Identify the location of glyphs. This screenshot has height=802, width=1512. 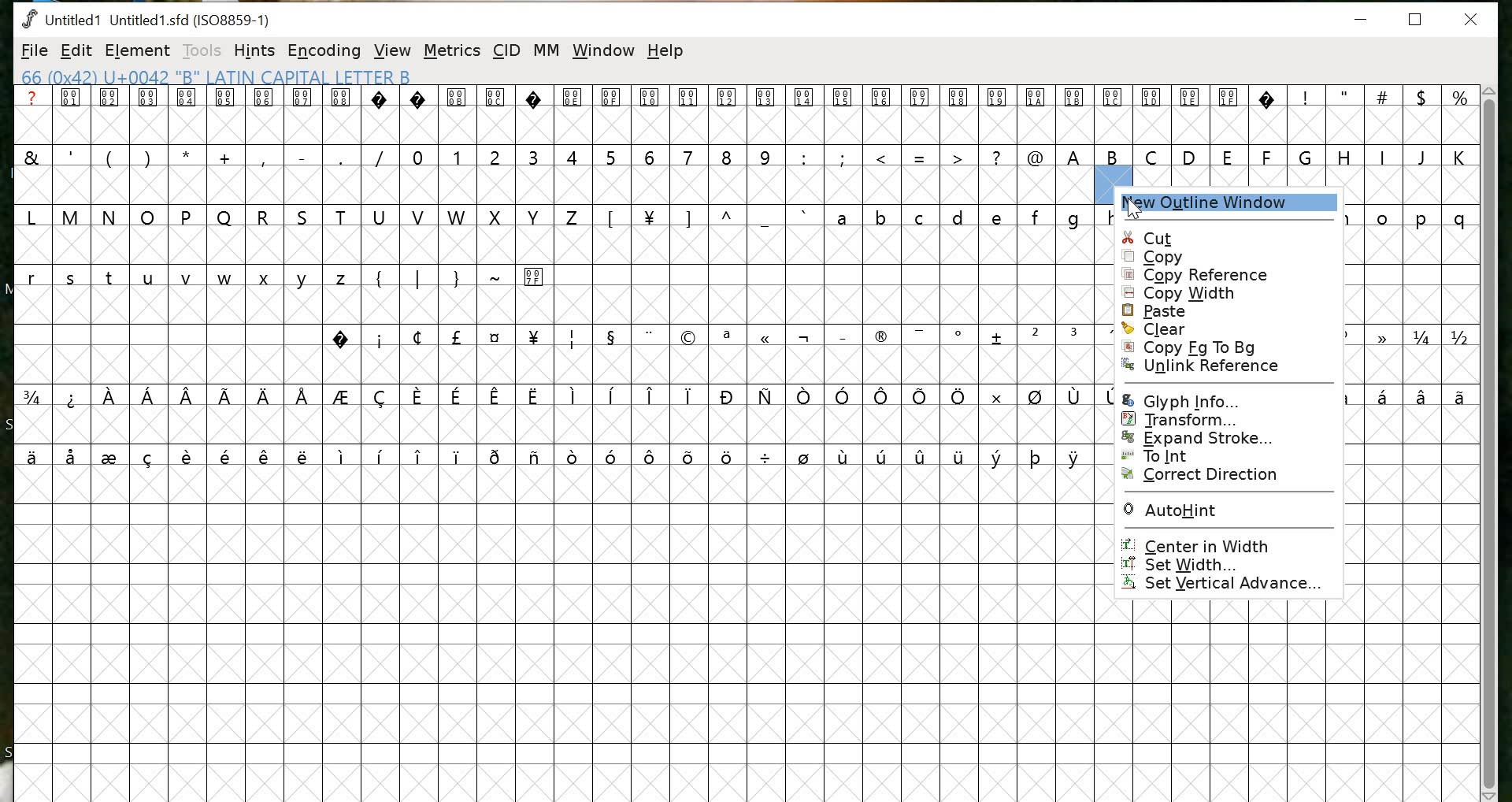
(1412, 306).